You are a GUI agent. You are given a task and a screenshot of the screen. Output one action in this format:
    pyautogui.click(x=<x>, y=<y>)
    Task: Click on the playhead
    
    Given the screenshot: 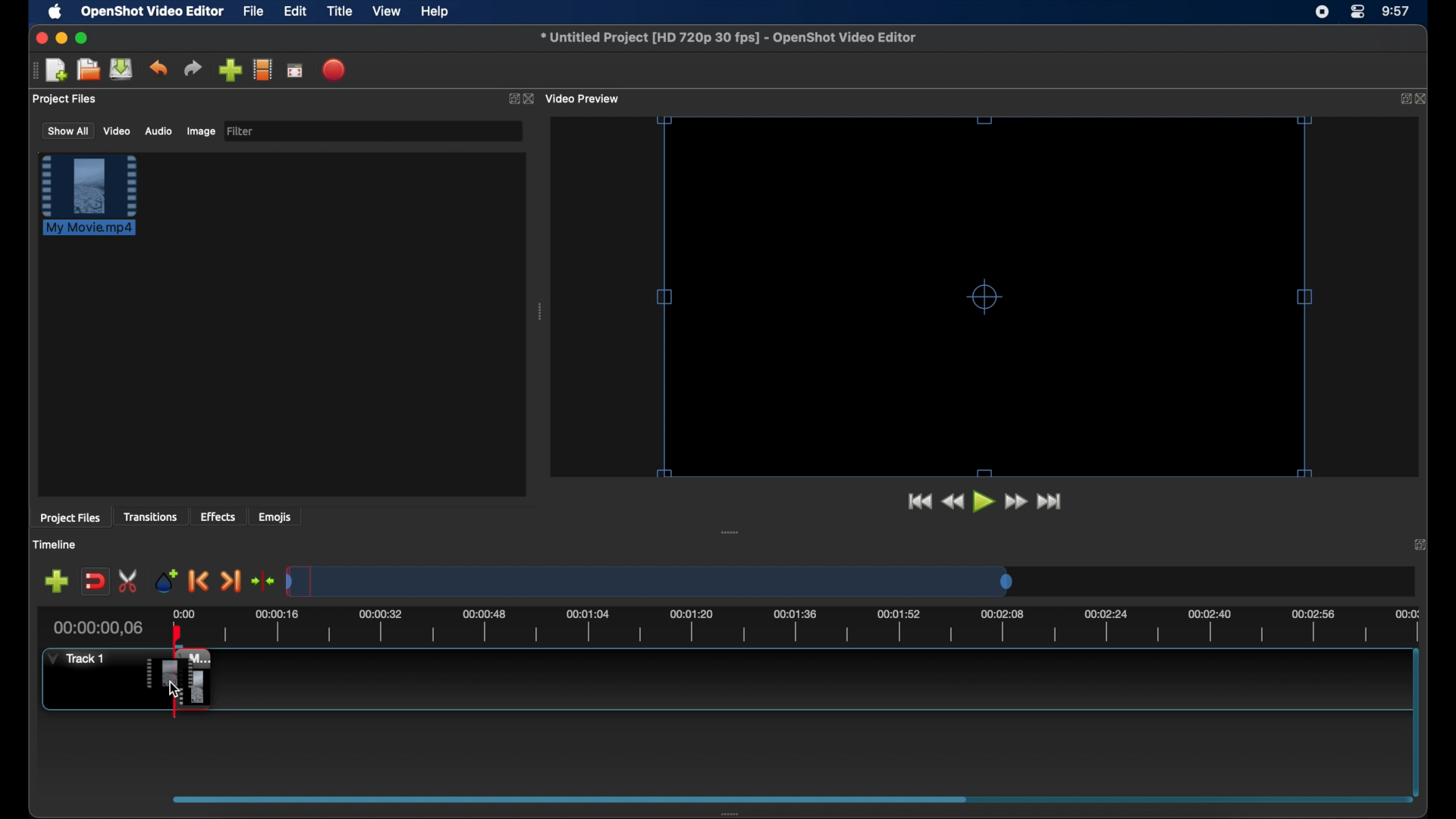 What is the action you would take?
    pyautogui.click(x=177, y=634)
    